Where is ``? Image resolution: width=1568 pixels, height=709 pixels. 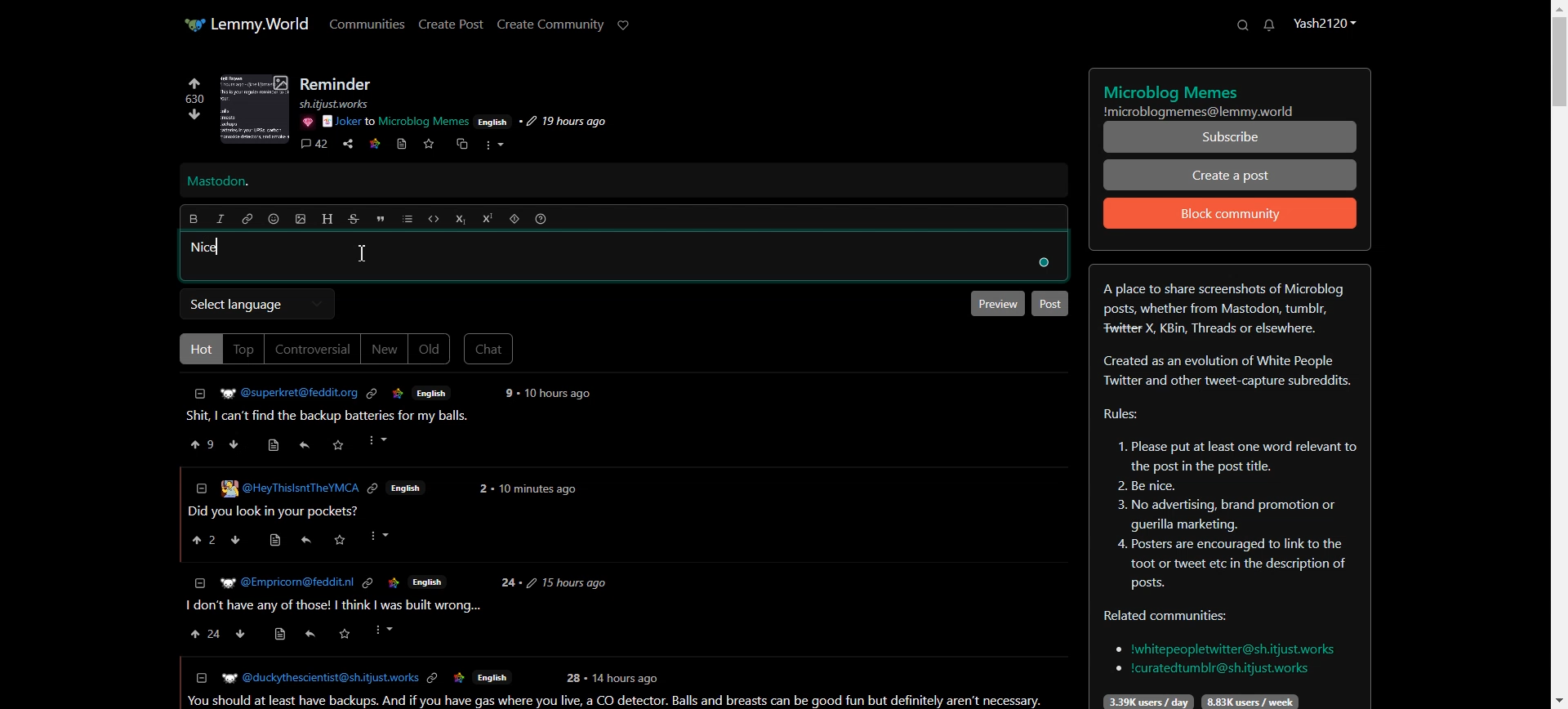
 is located at coordinates (374, 490).